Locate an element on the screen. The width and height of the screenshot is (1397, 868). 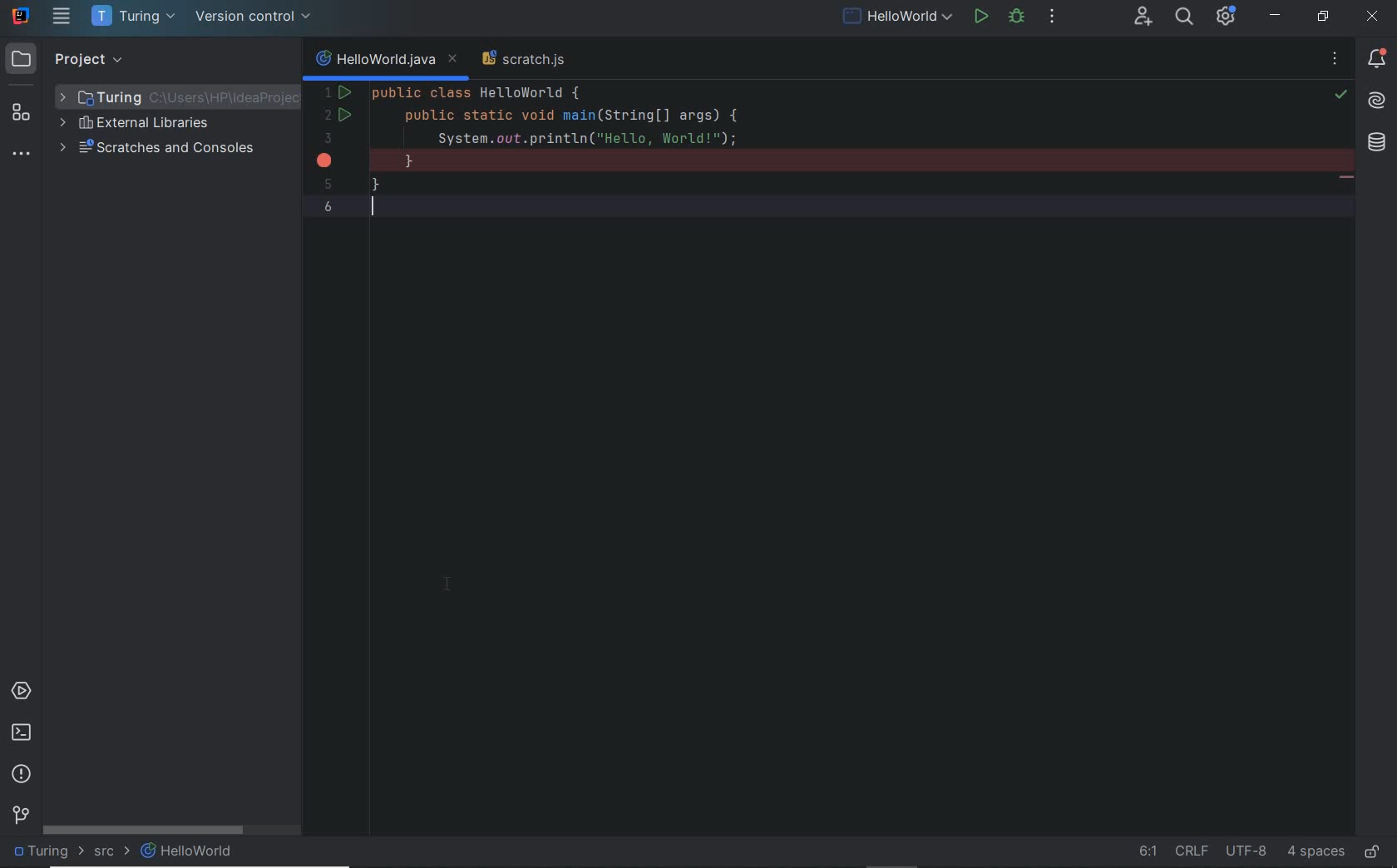
run/debug configuration is located at coordinates (896, 17).